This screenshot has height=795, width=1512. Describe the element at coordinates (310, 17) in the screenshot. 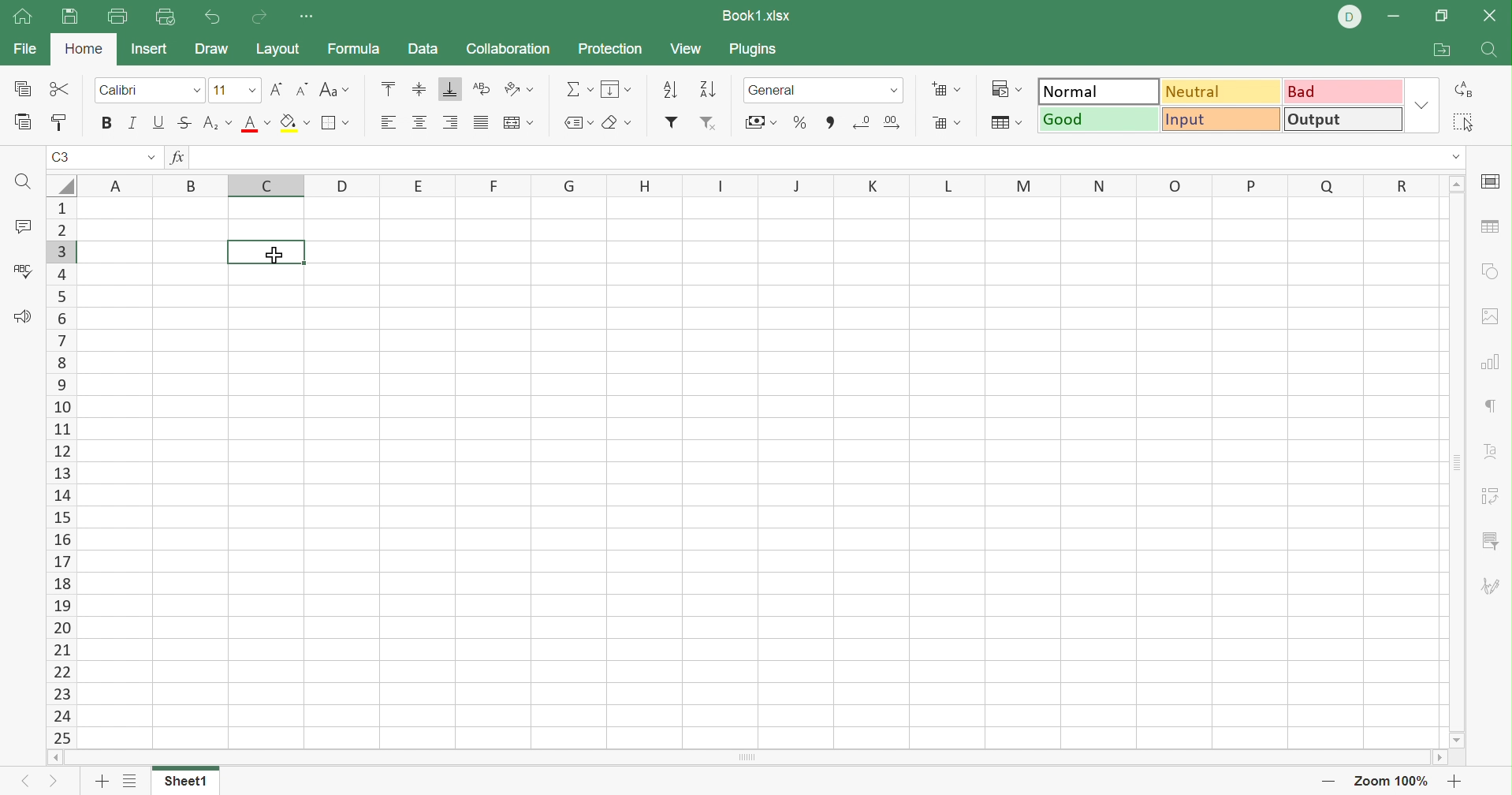

I see `Customize quick access toolbar` at that location.